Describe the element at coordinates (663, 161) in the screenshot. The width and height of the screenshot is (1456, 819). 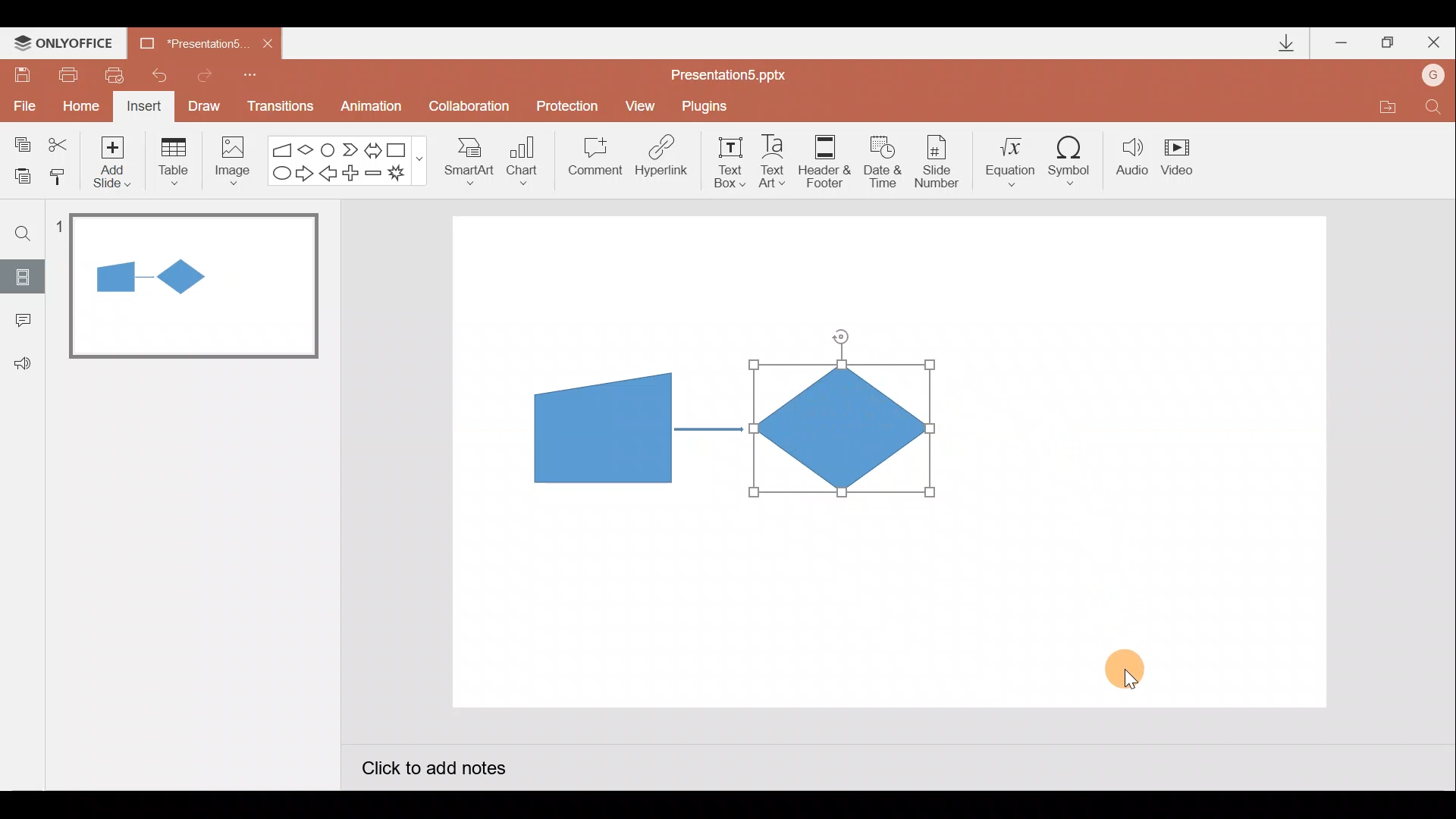
I see `Hyperlink` at that location.